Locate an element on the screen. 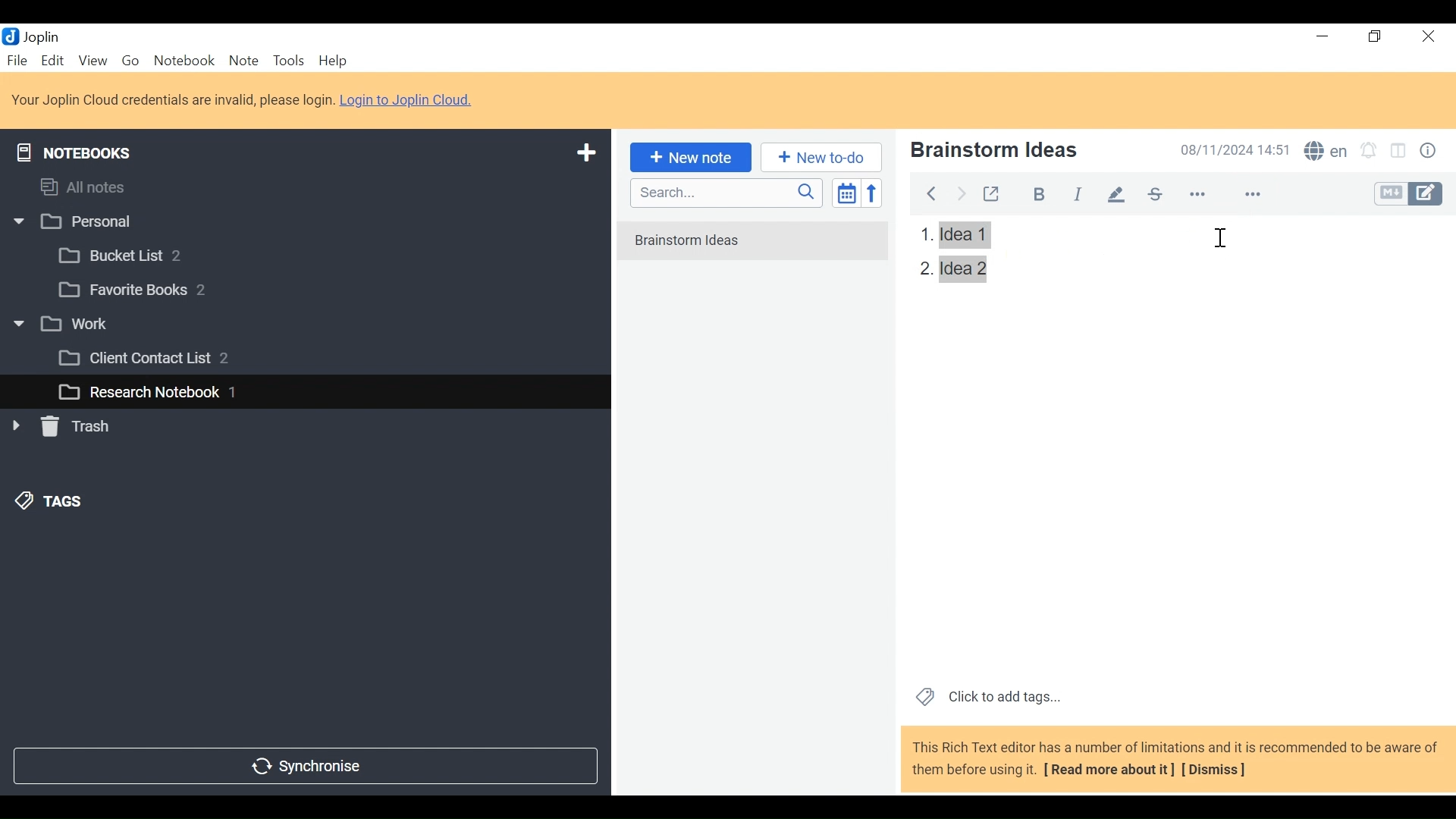 The width and height of the screenshot is (1456, 819). Date and Time is located at coordinates (1231, 149).